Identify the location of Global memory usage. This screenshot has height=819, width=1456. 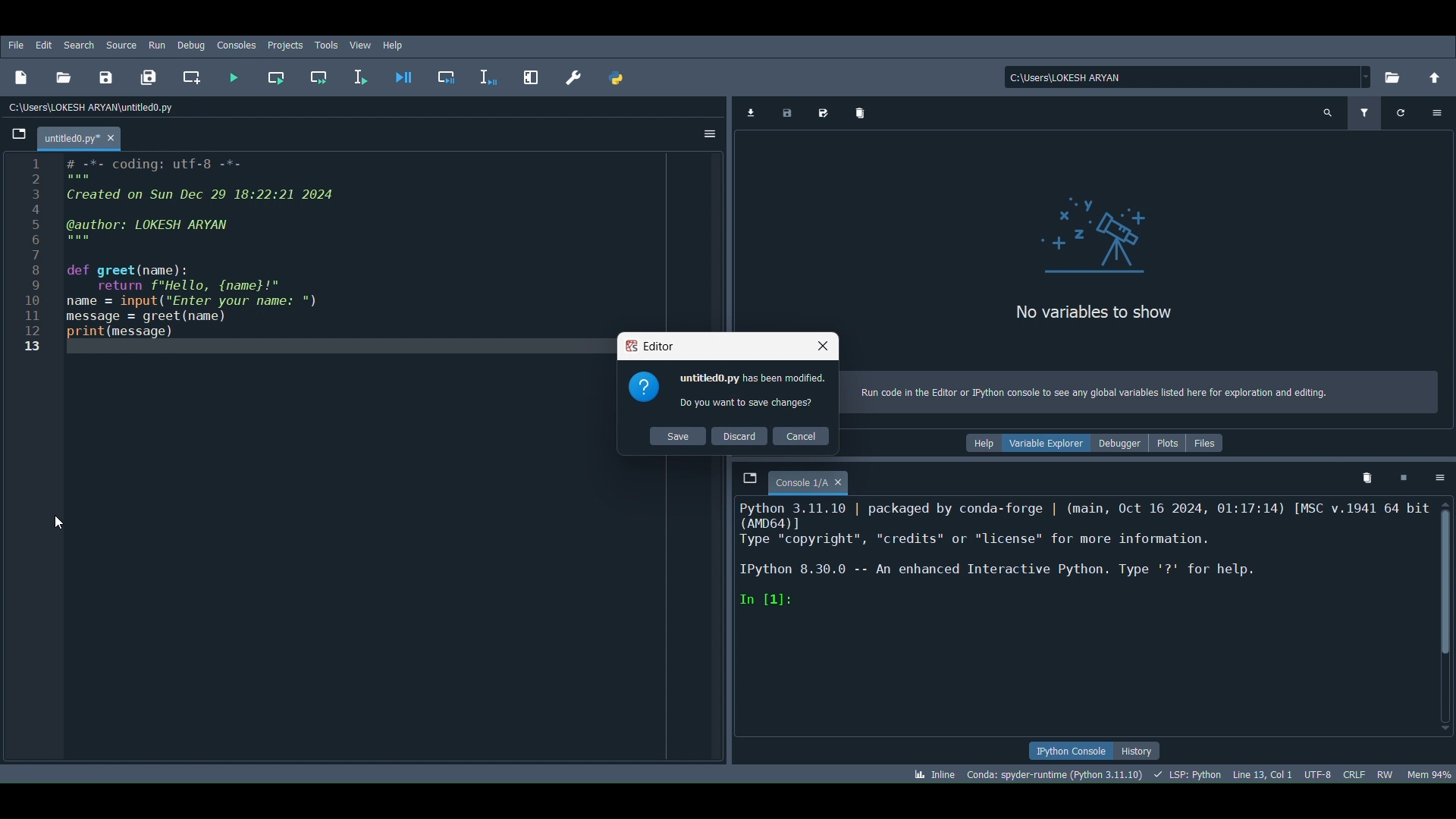
(1426, 772).